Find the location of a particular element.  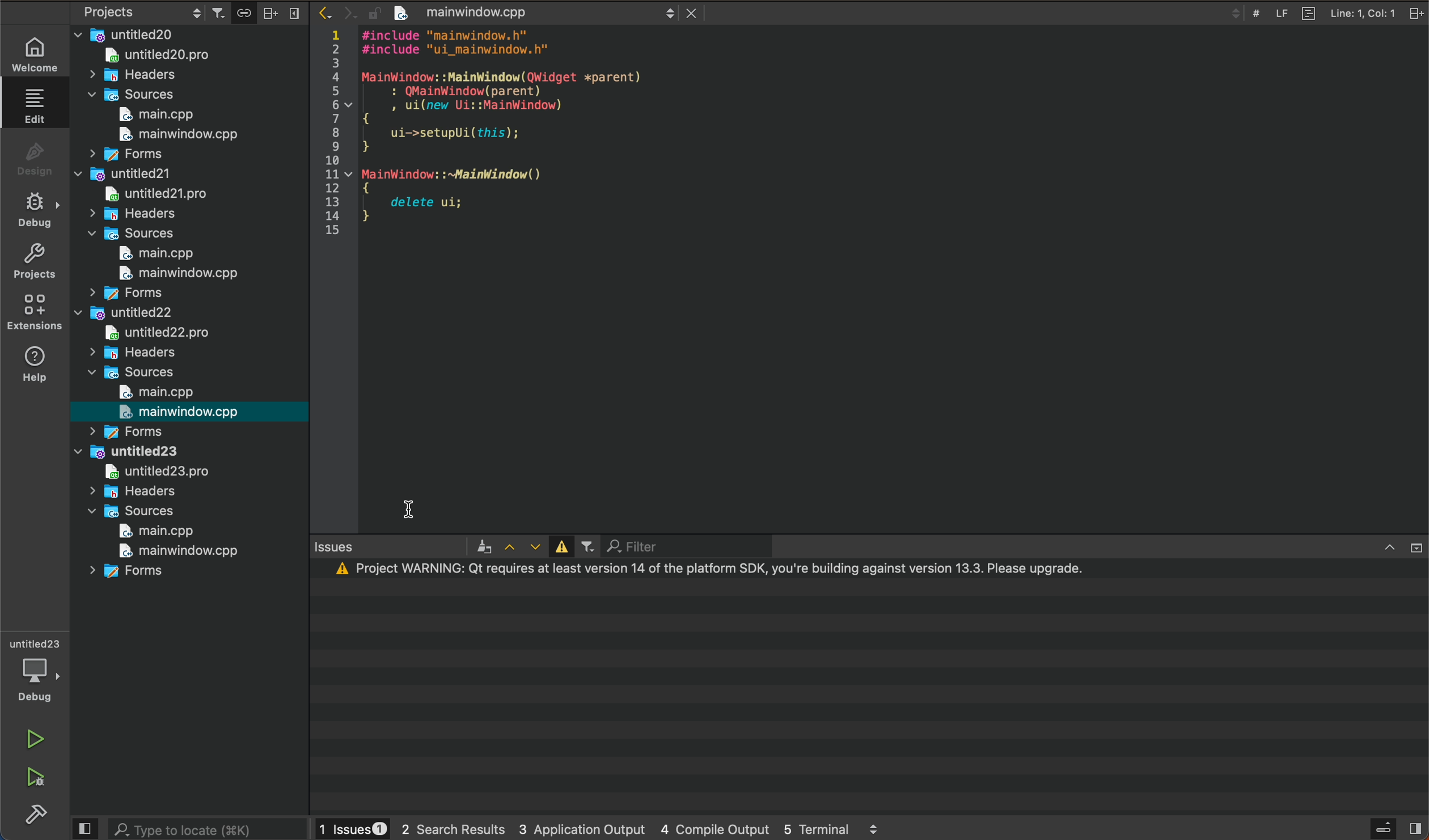

help is located at coordinates (37, 366).